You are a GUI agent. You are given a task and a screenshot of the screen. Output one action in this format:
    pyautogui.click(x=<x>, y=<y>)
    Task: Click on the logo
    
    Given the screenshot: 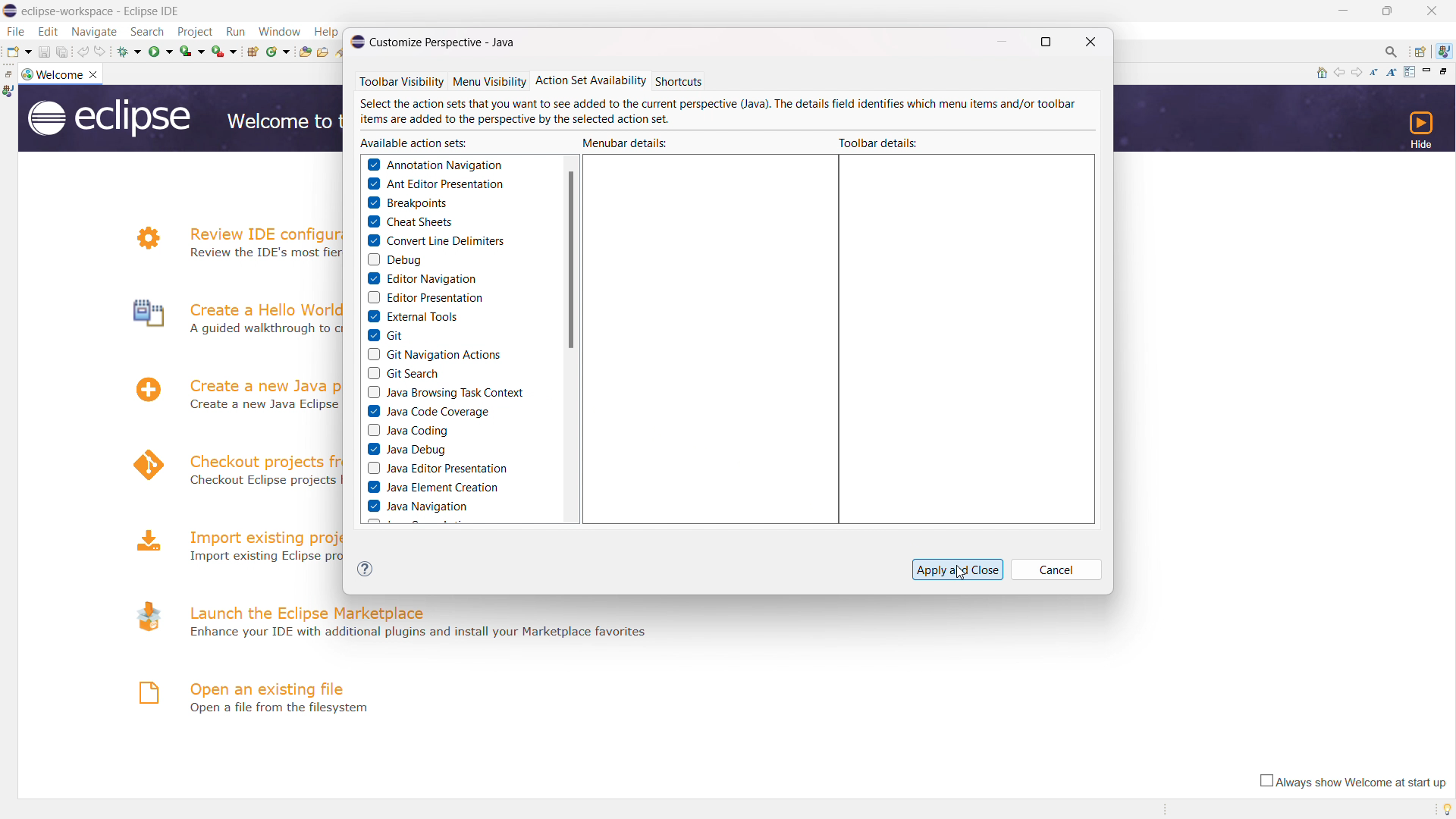 What is the action you would take?
    pyautogui.click(x=144, y=692)
    